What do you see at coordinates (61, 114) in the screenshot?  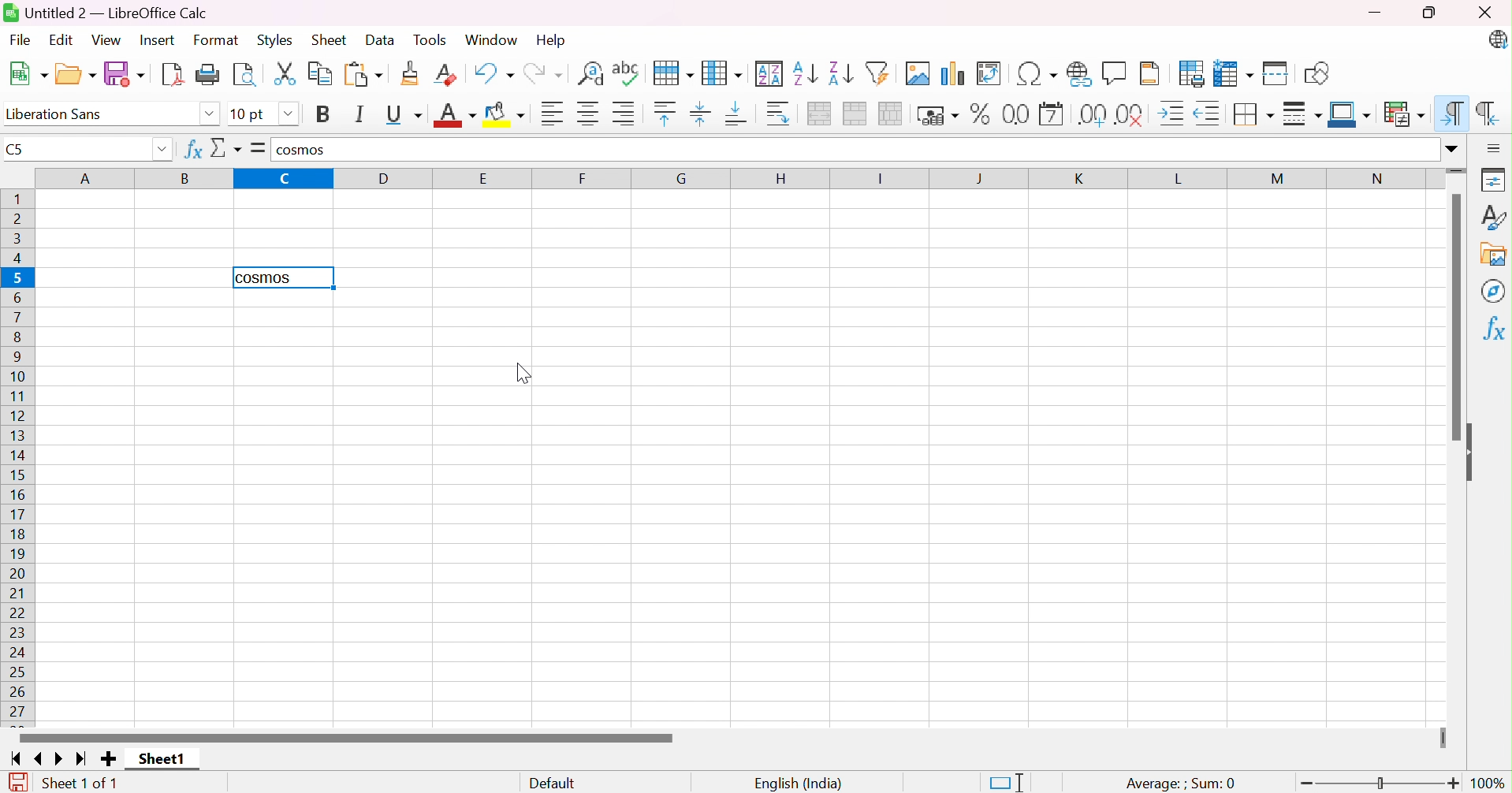 I see `Liberation Sans` at bounding box center [61, 114].